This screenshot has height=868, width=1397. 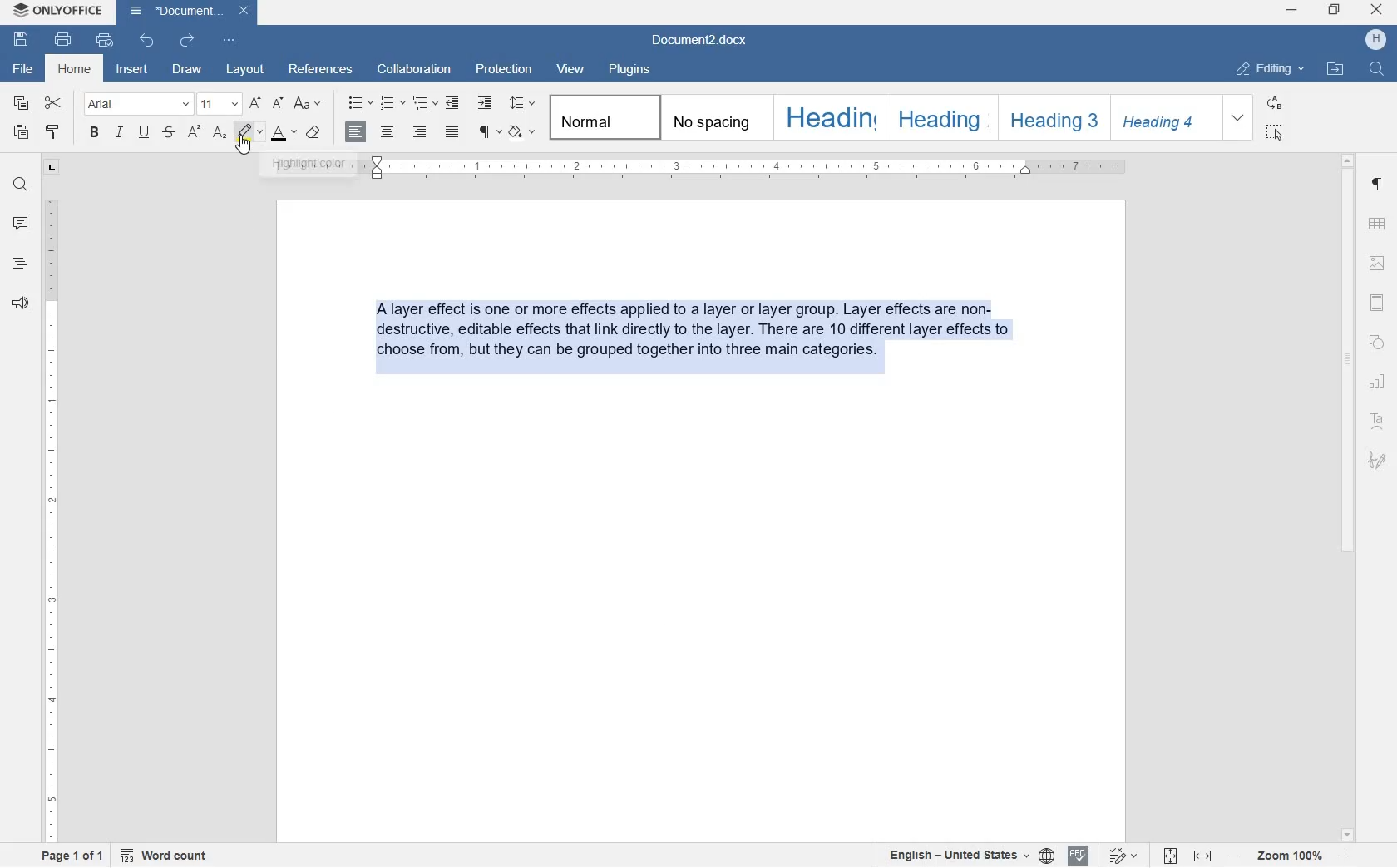 I want to click on FEEDBACK & SUPPORT, so click(x=19, y=303).